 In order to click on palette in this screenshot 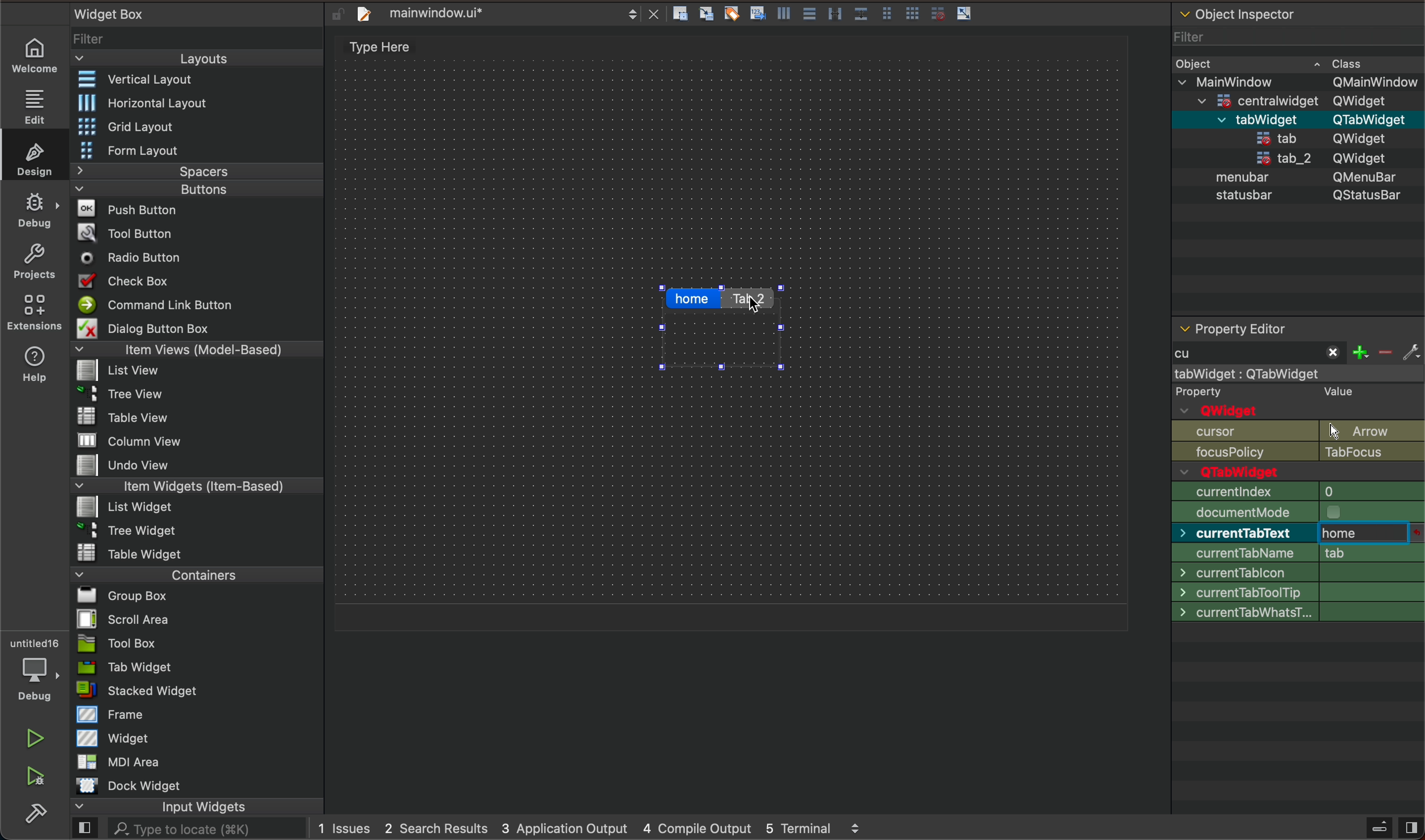, I will do `click(1299, 610)`.